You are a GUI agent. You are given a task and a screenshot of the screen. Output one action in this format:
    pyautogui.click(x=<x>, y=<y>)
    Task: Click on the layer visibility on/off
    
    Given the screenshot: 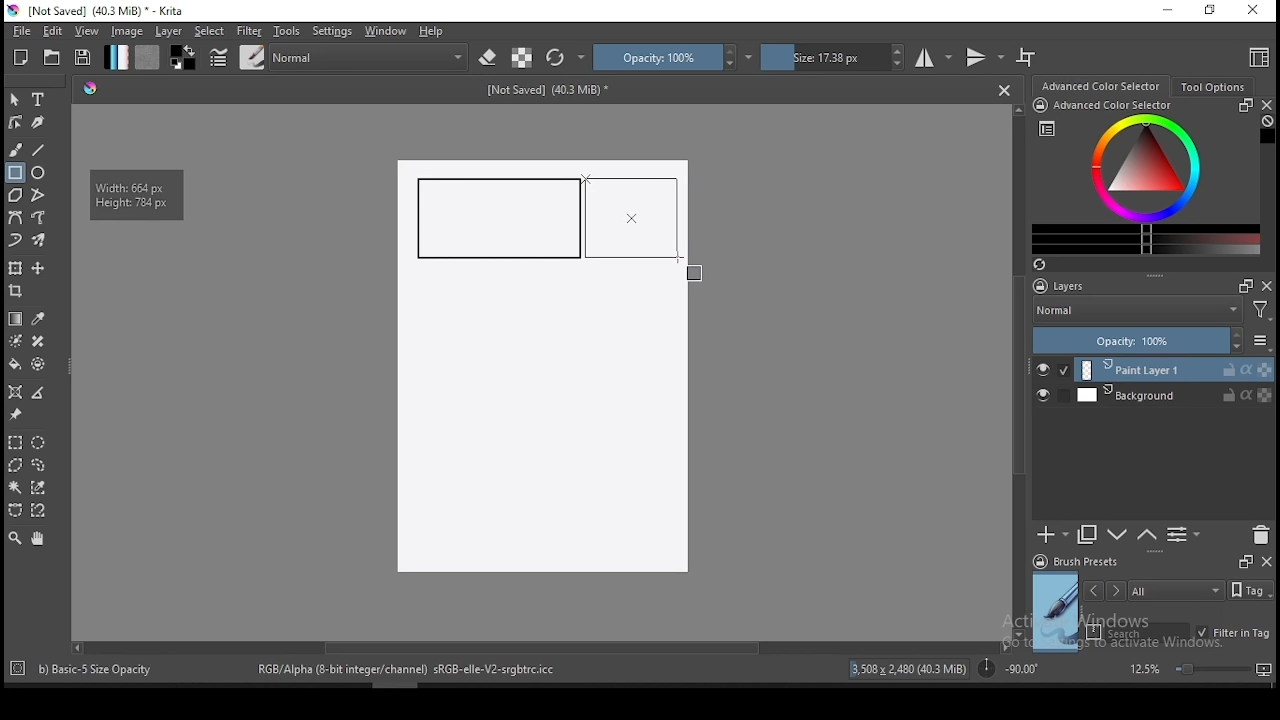 What is the action you would take?
    pyautogui.click(x=1048, y=397)
    